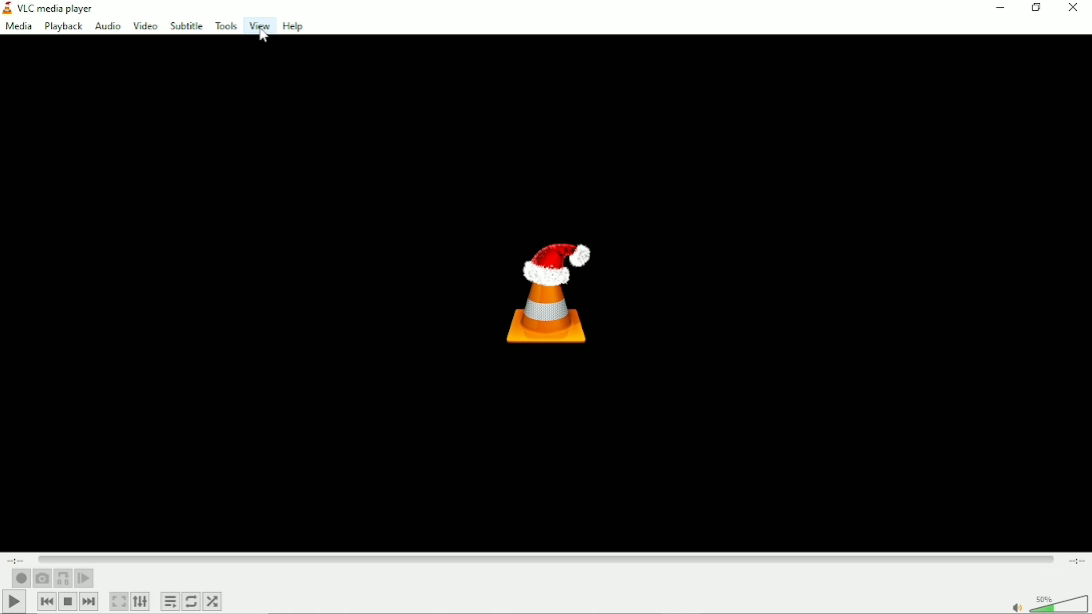 The width and height of the screenshot is (1092, 614). What do you see at coordinates (42, 578) in the screenshot?
I see `take a snapshot` at bounding box center [42, 578].